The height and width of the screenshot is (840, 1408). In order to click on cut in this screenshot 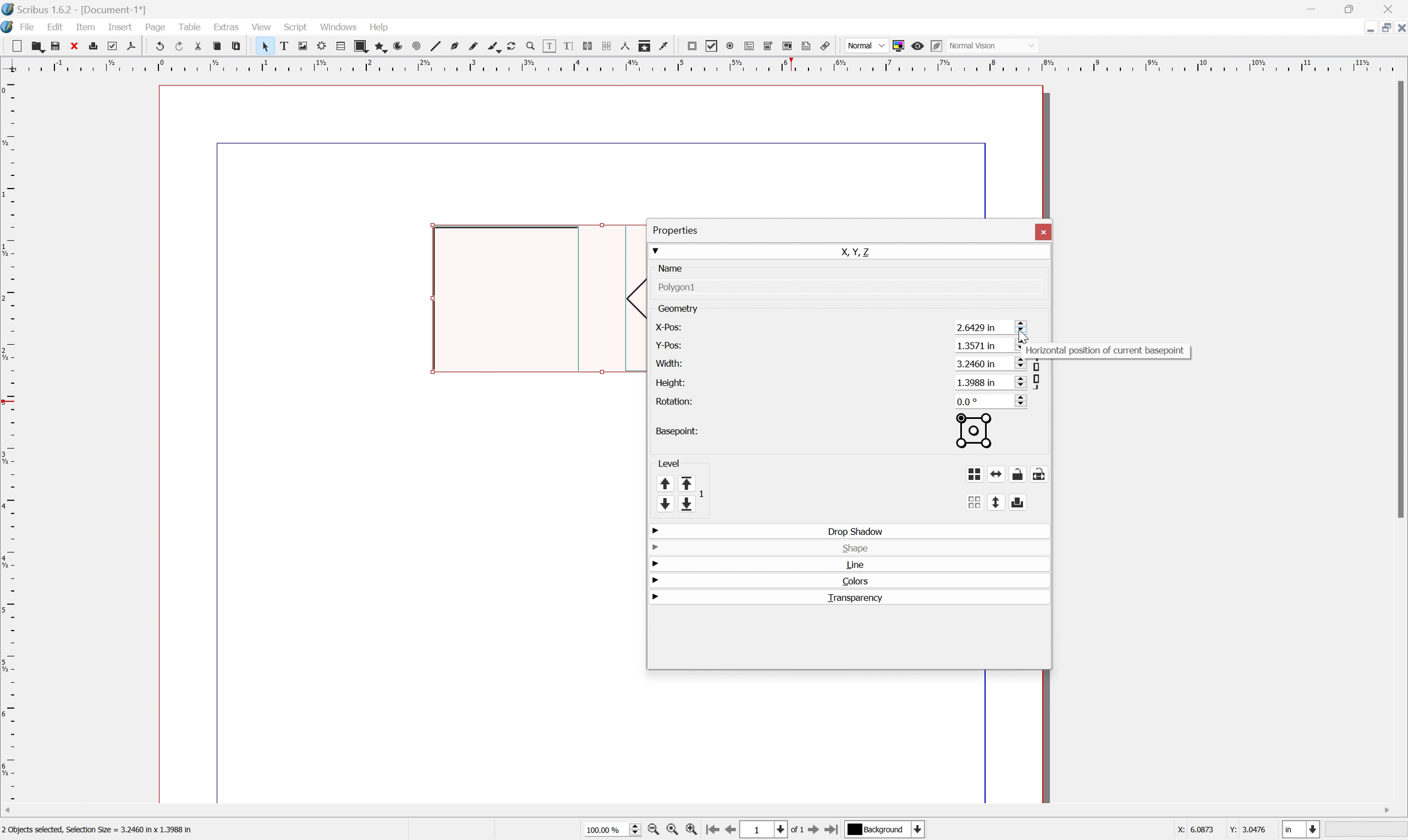, I will do `click(196, 46)`.